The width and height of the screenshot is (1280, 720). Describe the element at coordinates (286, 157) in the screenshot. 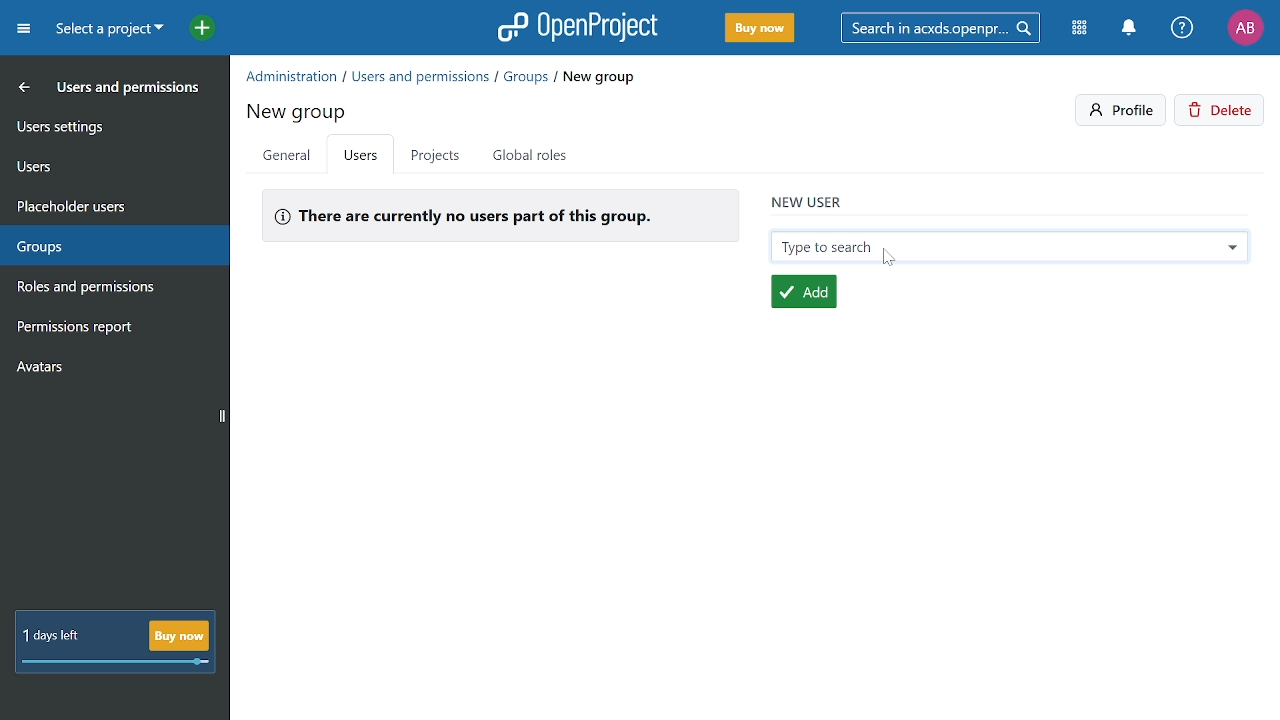

I see `General` at that location.